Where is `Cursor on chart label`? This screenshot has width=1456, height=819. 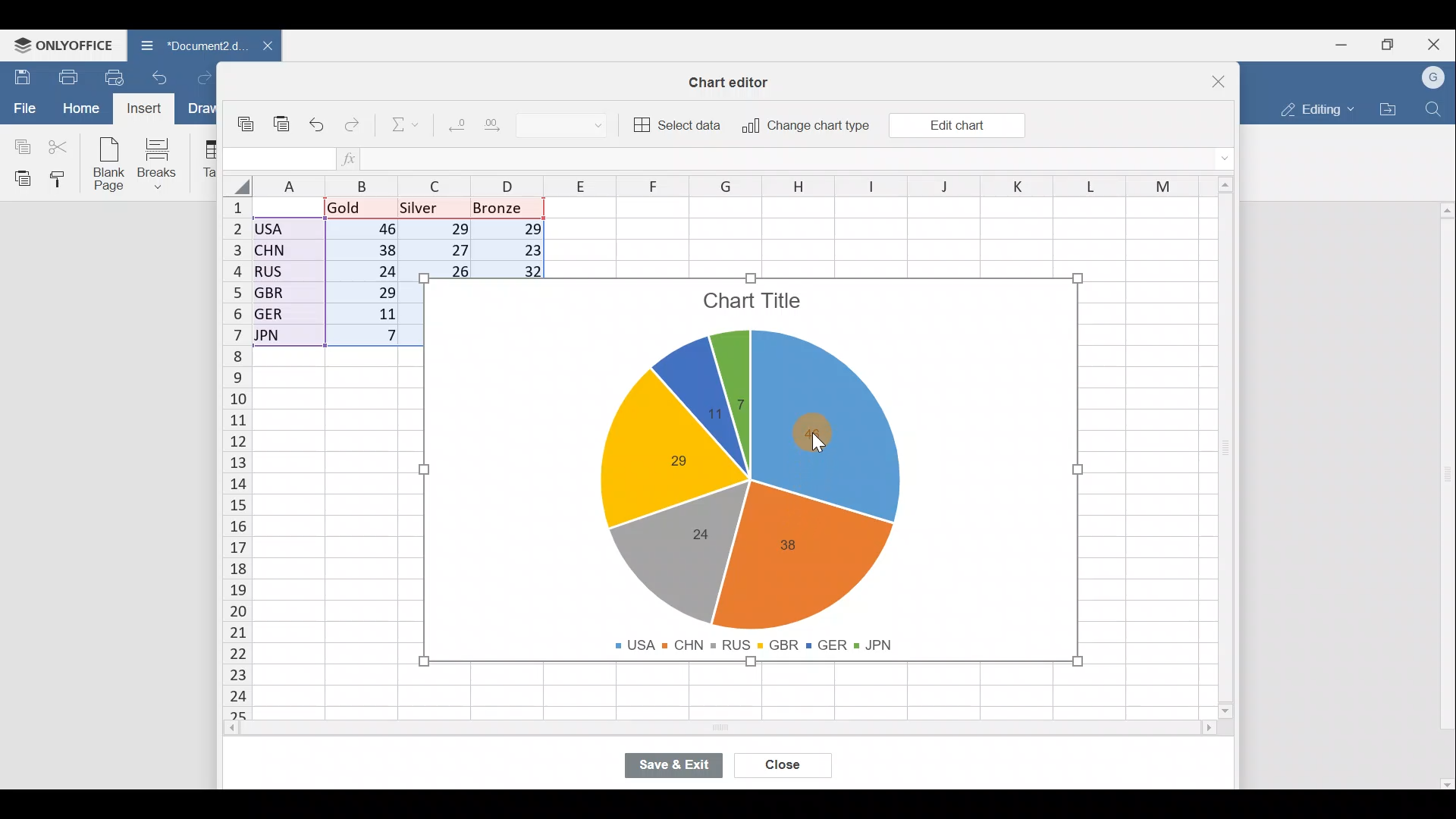 Cursor on chart label is located at coordinates (814, 444).